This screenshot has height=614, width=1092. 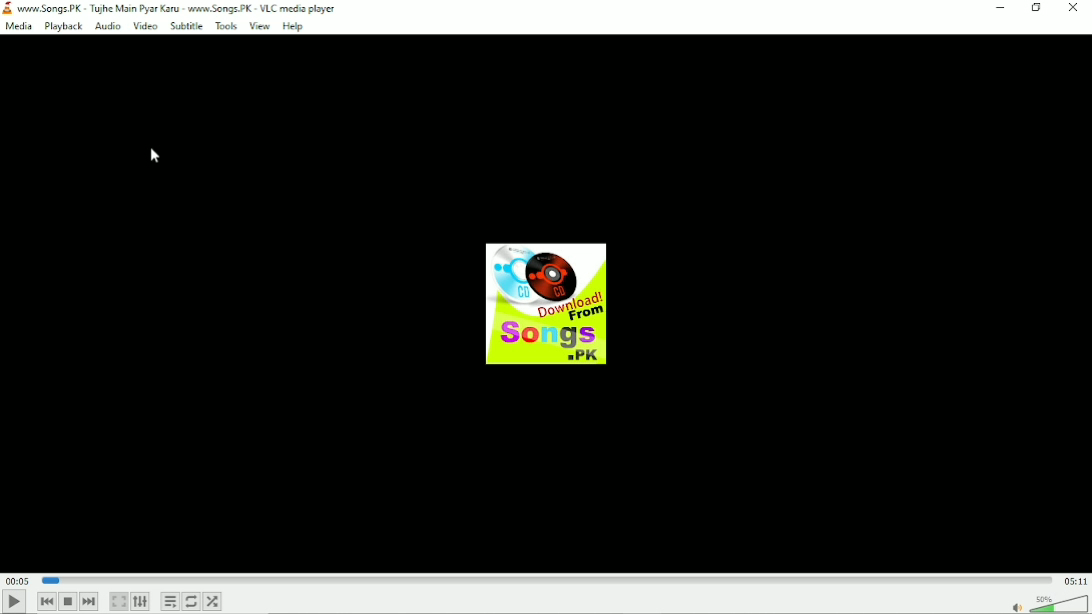 What do you see at coordinates (119, 602) in the screenshot?
I see `Toggle video in fullscreen` at bounding box center [119, 602].